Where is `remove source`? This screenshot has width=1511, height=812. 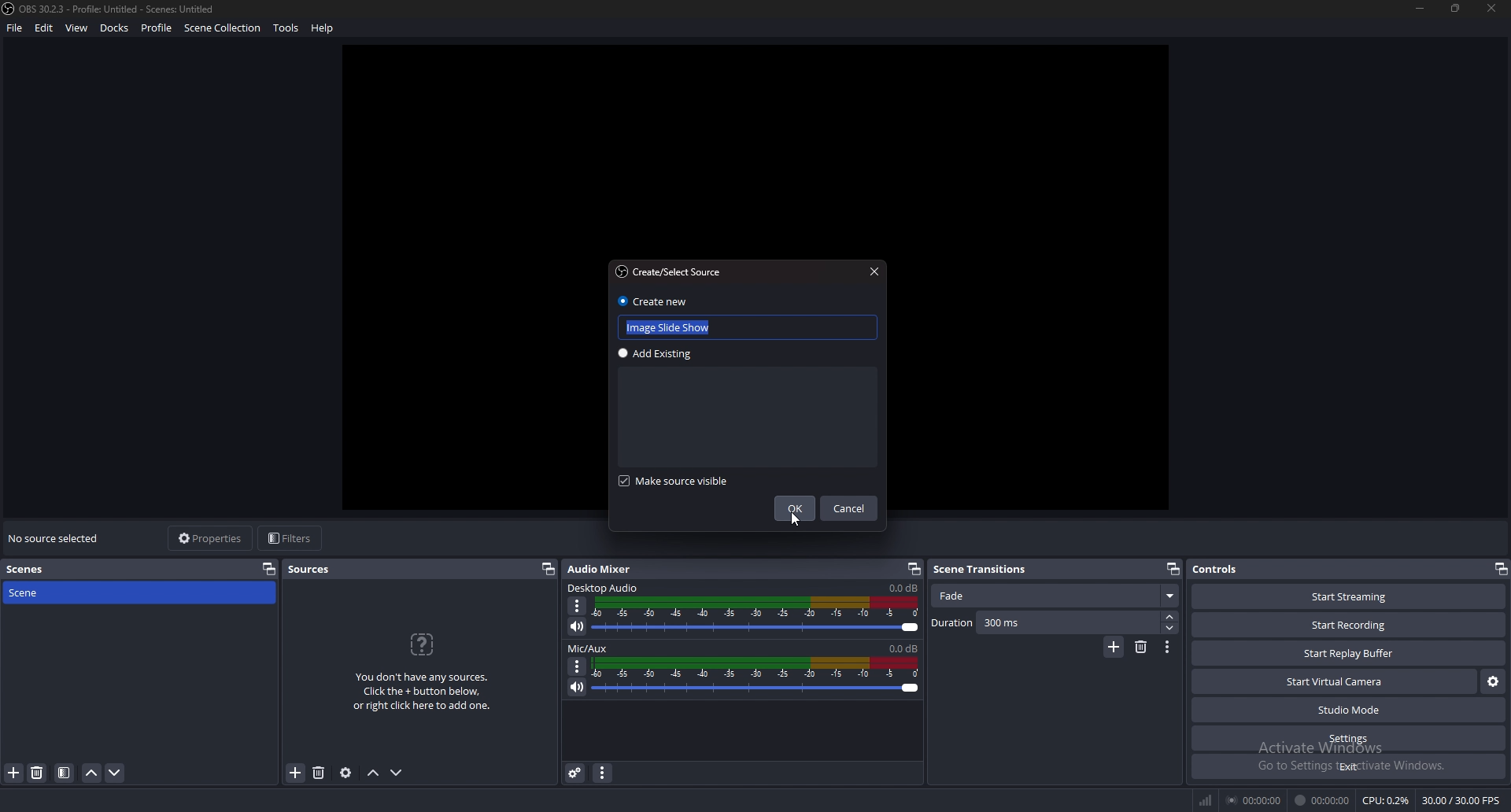
remove source is located at coordinates (320, 773).